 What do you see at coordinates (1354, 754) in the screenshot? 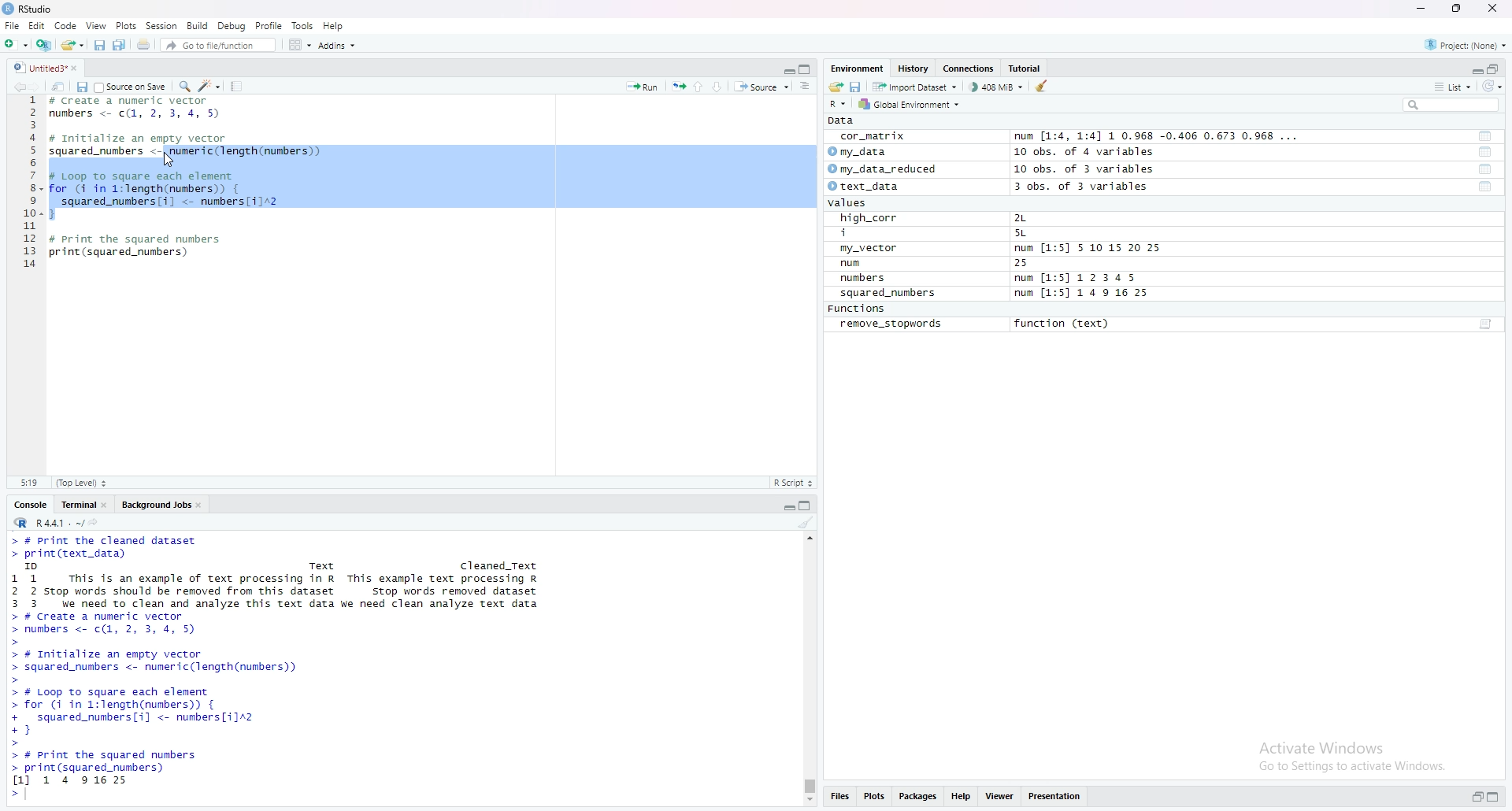
I see `Activate Windows
Go to Settings to activate Windows.` at bounding box center [1354, 754].